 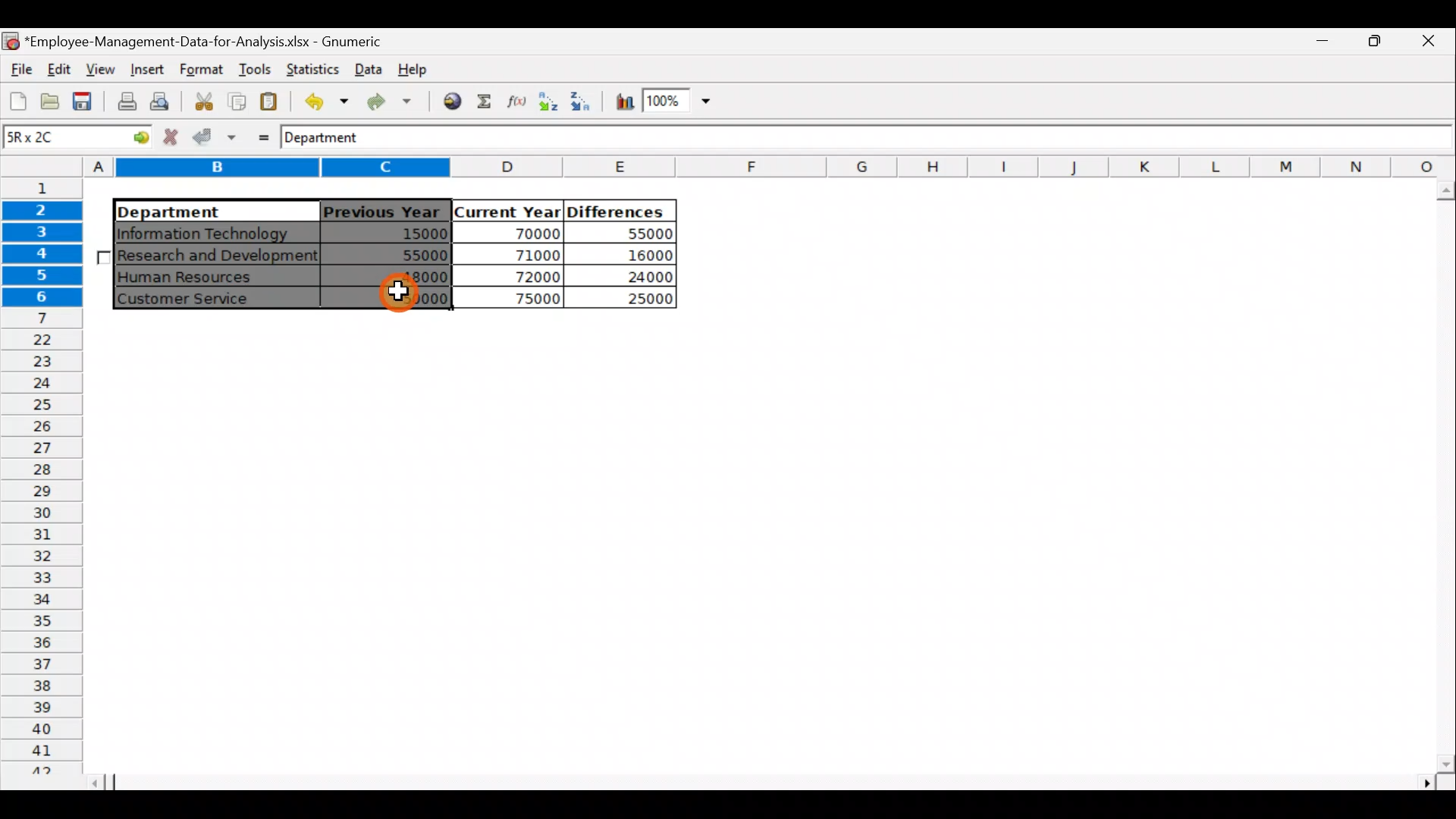 What do you see at coordinates (324, 101) in the screenshot?
I see `Undo last action` at bounding box center [324, 101].